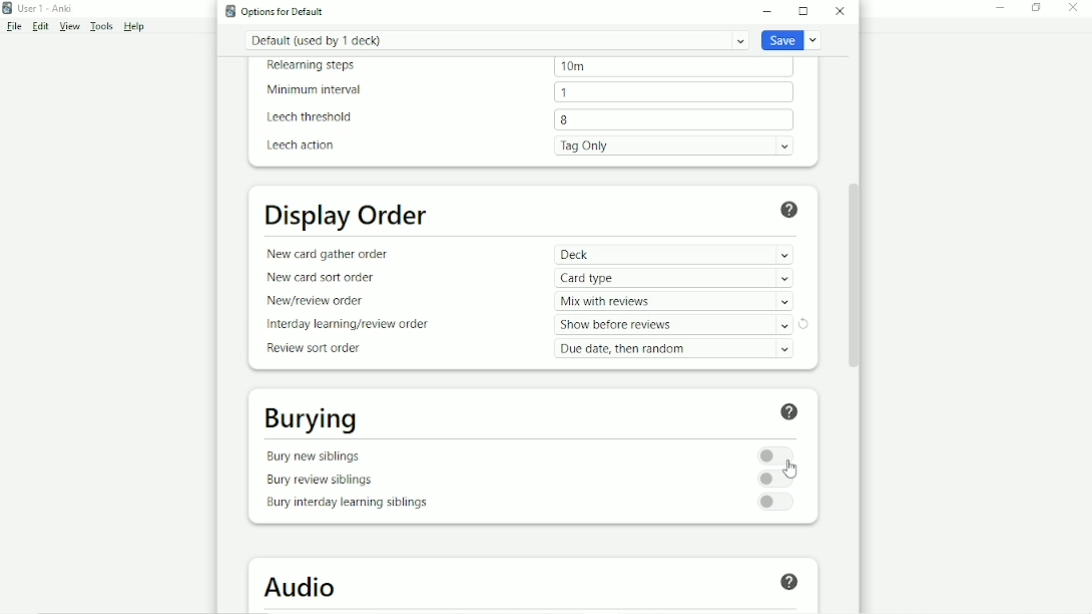  I want to click on 1, so click(565, 91).